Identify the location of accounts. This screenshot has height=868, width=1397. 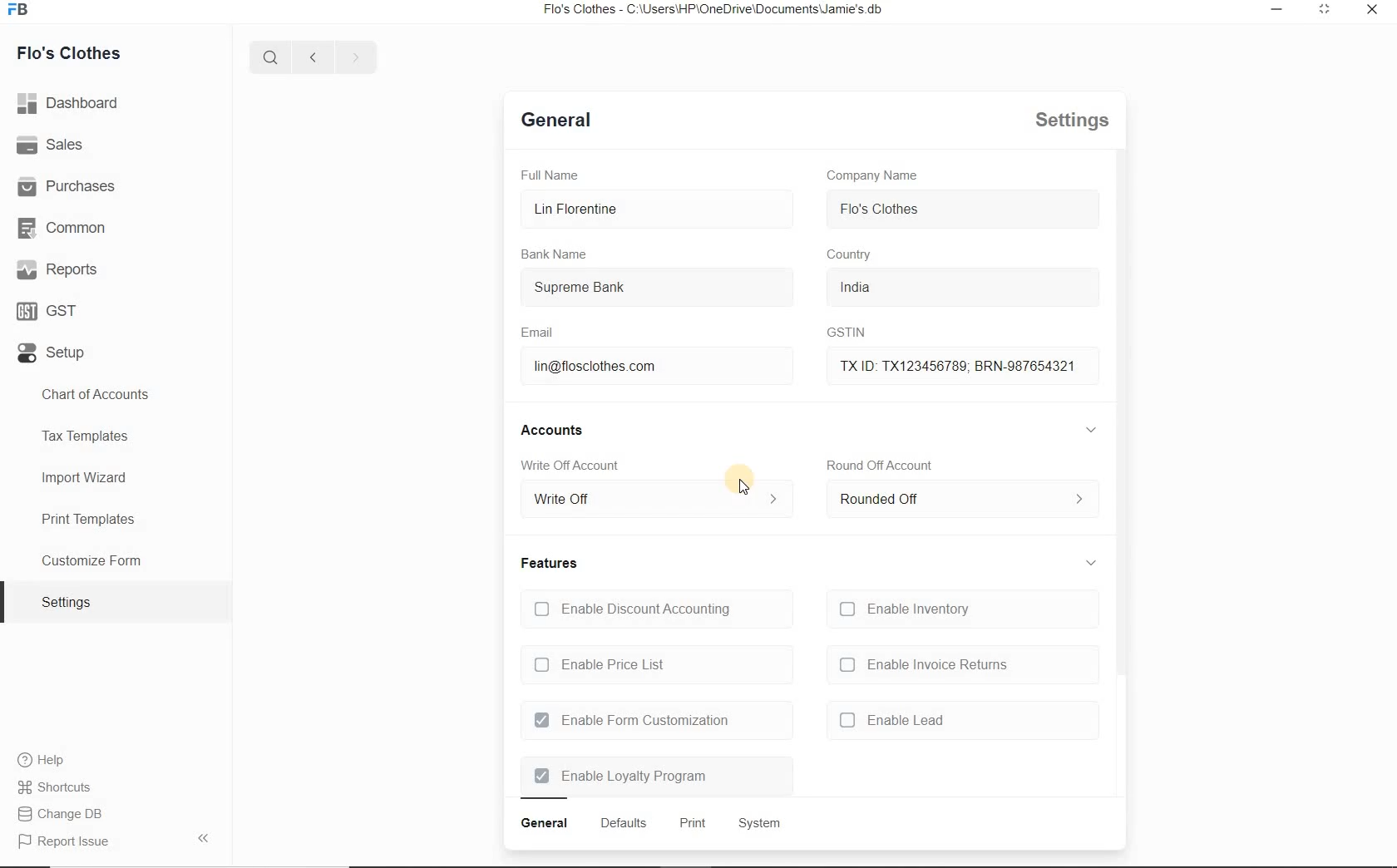
(558, 430).